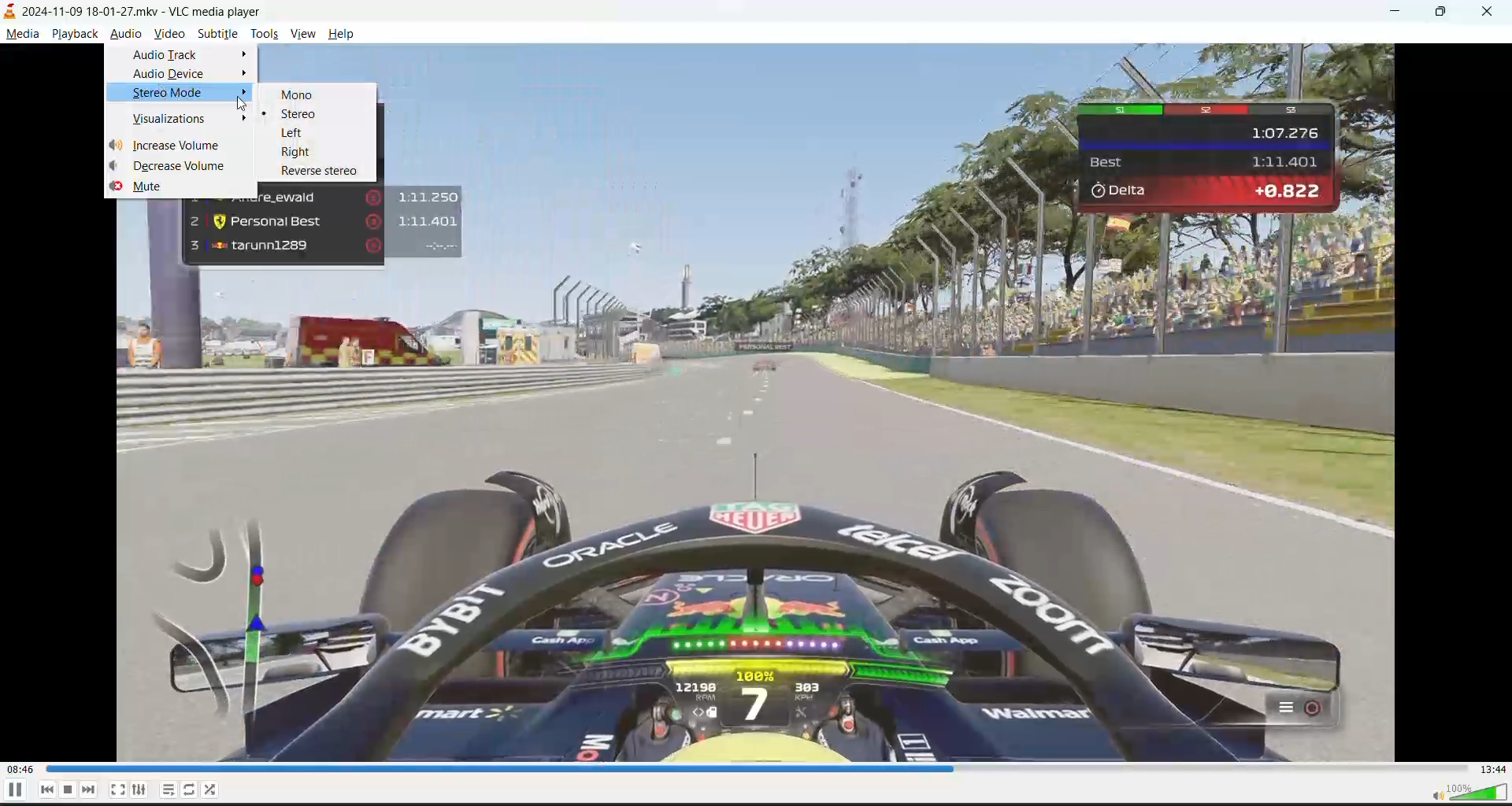  What do you see at coordinates (756, 767) in the screenshot?
I see `track slider` at bounding box center [756, 767].